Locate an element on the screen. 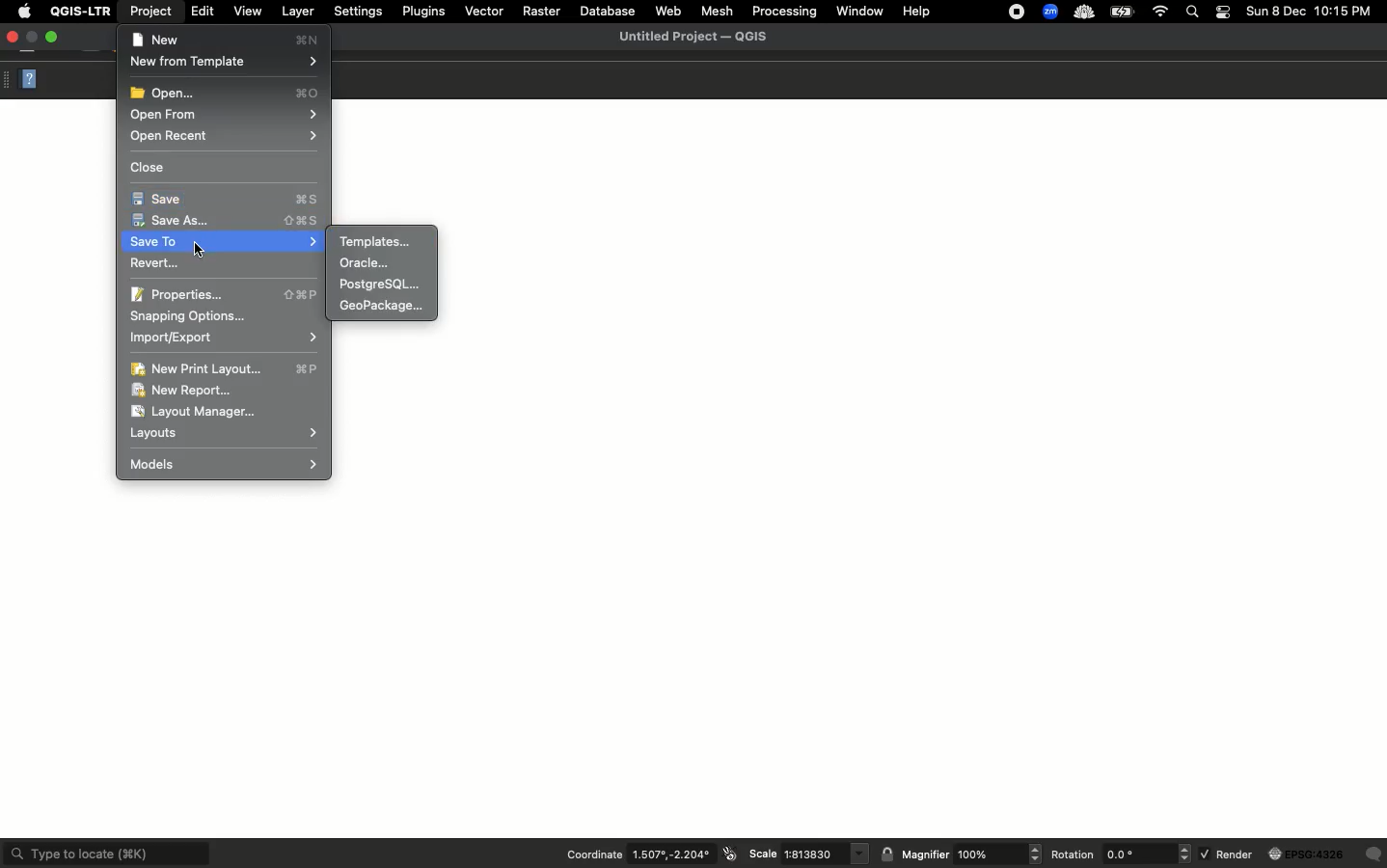  Edit is located at coordinates (200, 12).